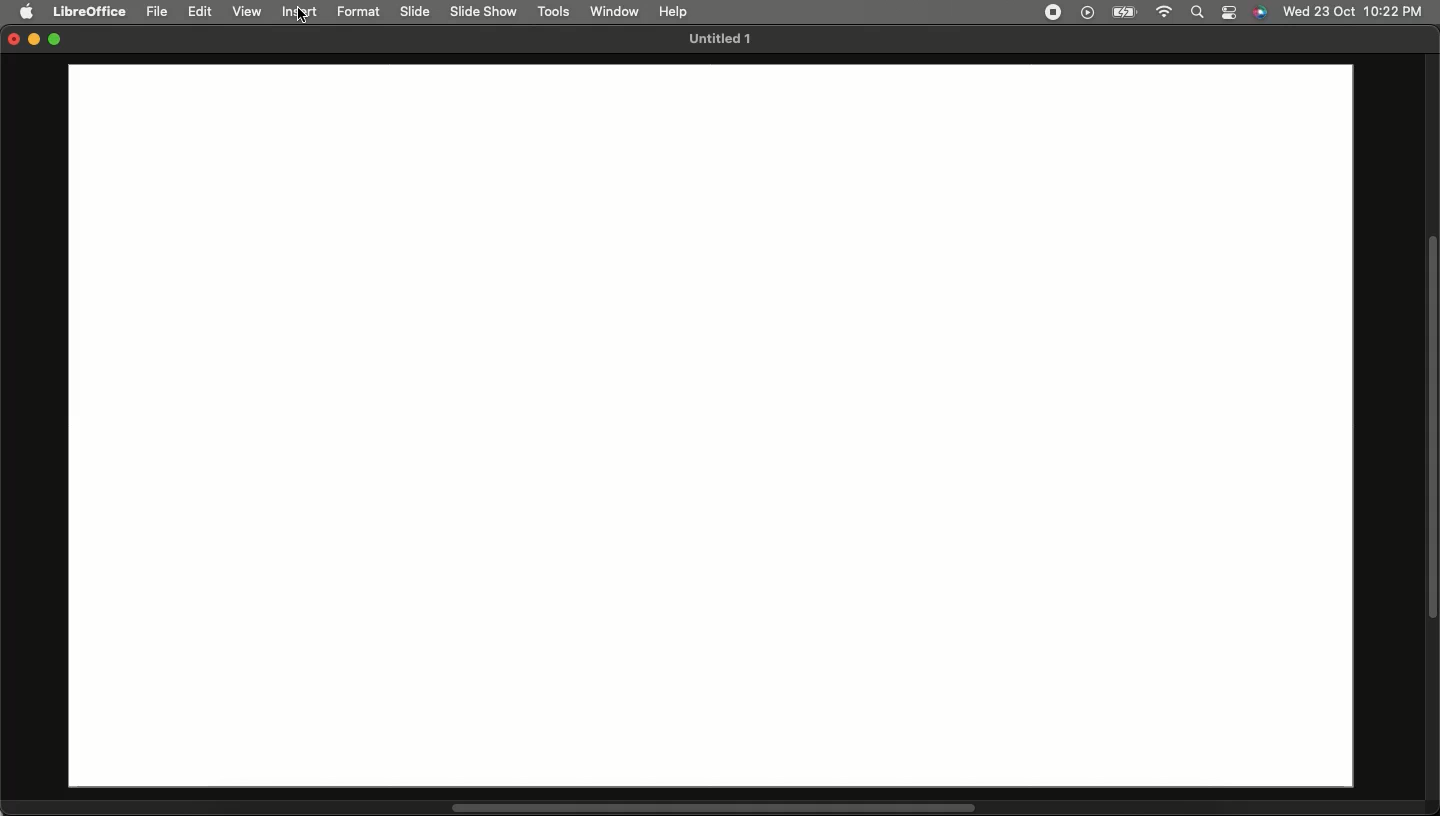 This screenshot has height=816, width=1440. What do you see at coordinates (483, 11) in the screenshot?
I see `Slide show` at bounding box center [483, 11].